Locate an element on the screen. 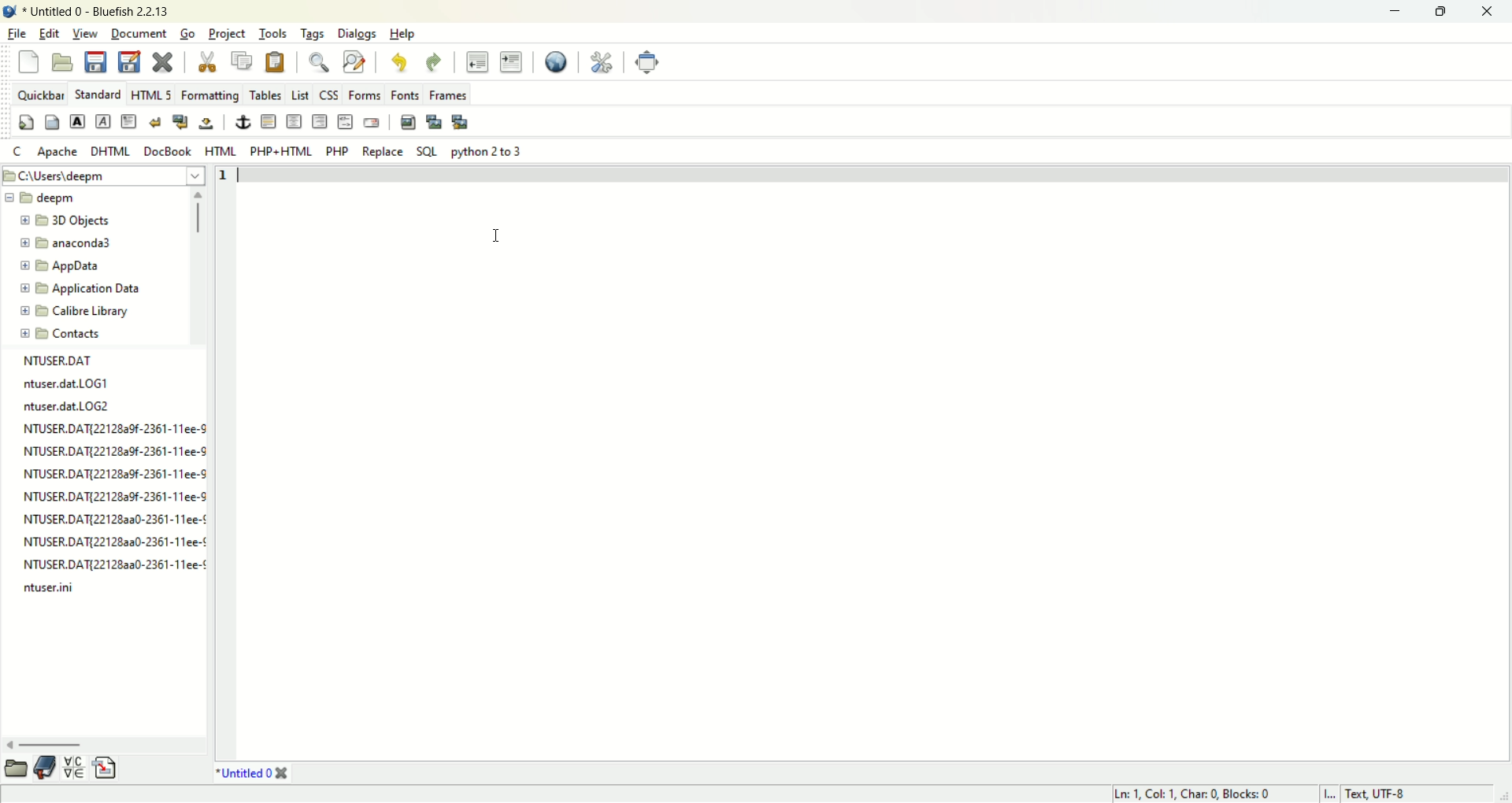 Image resolution: width=1512 pixels, height=803 pixels. emphasis is located at coordinates (105, 120).